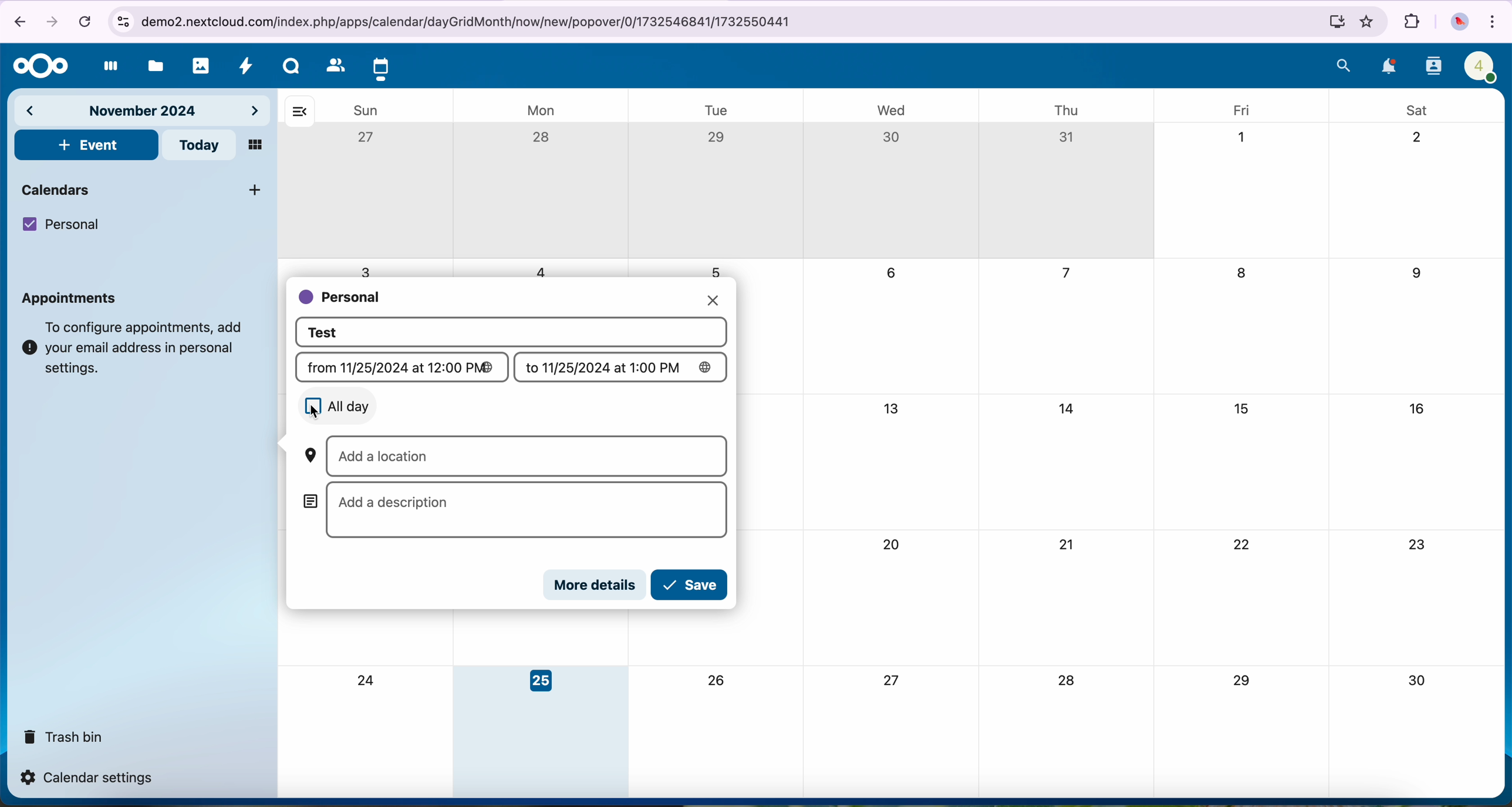  Describe the element at coordinates (1238, 108) in the screenshot. I see `fri` at that location.